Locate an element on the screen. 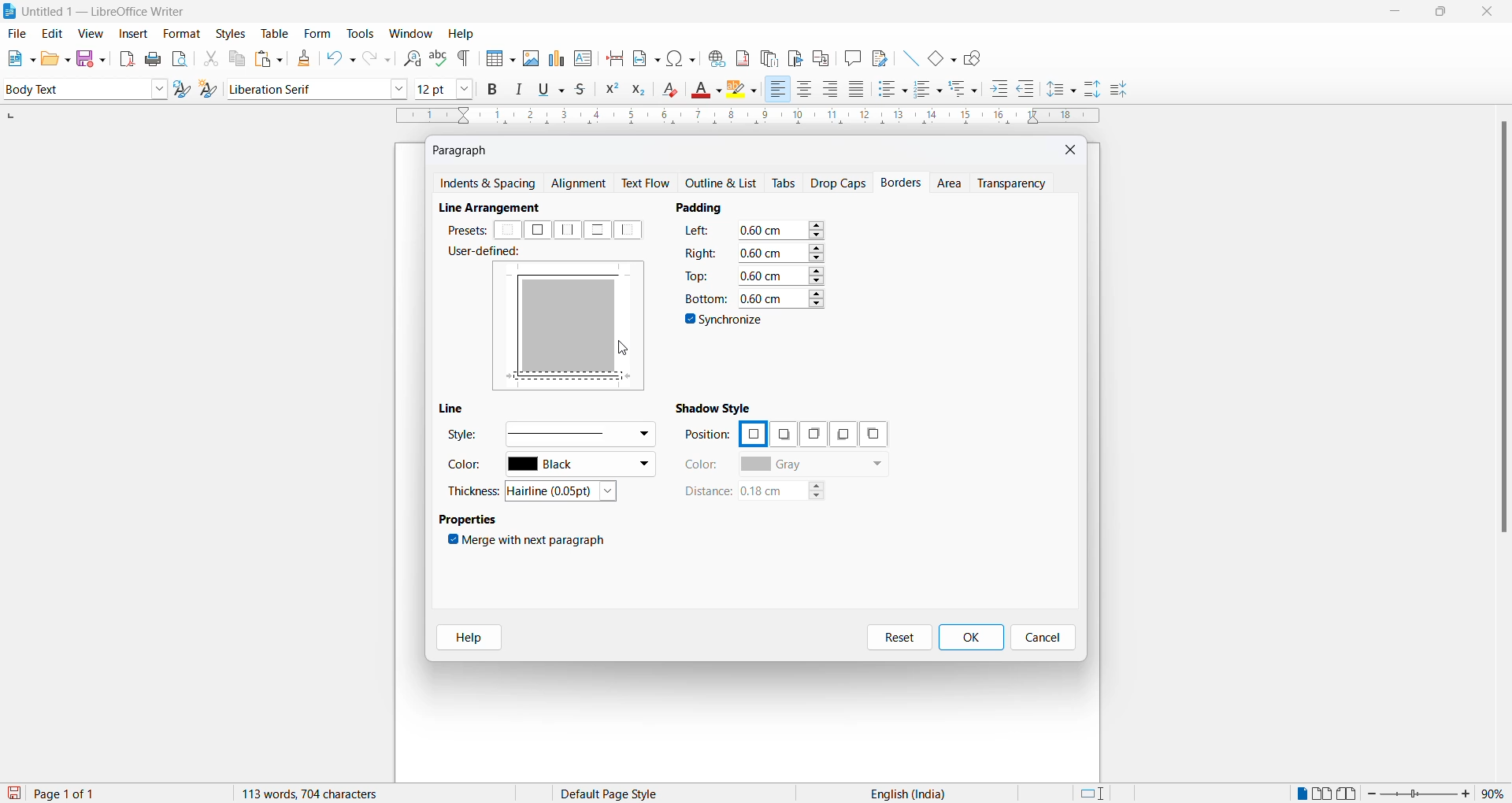 The height and width of the screenshot is (803, 1512). spellings is located at coordinates (438, 57).